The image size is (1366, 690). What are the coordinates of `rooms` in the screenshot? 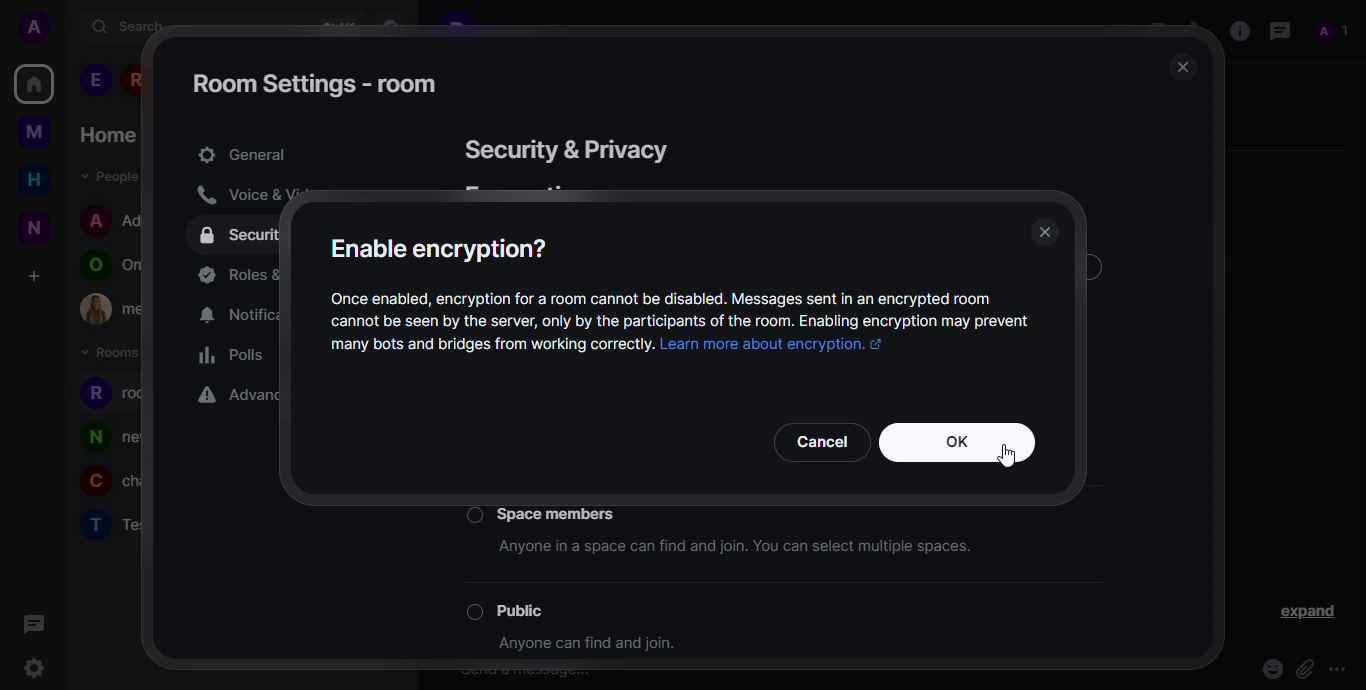 It's located at (113, 353).